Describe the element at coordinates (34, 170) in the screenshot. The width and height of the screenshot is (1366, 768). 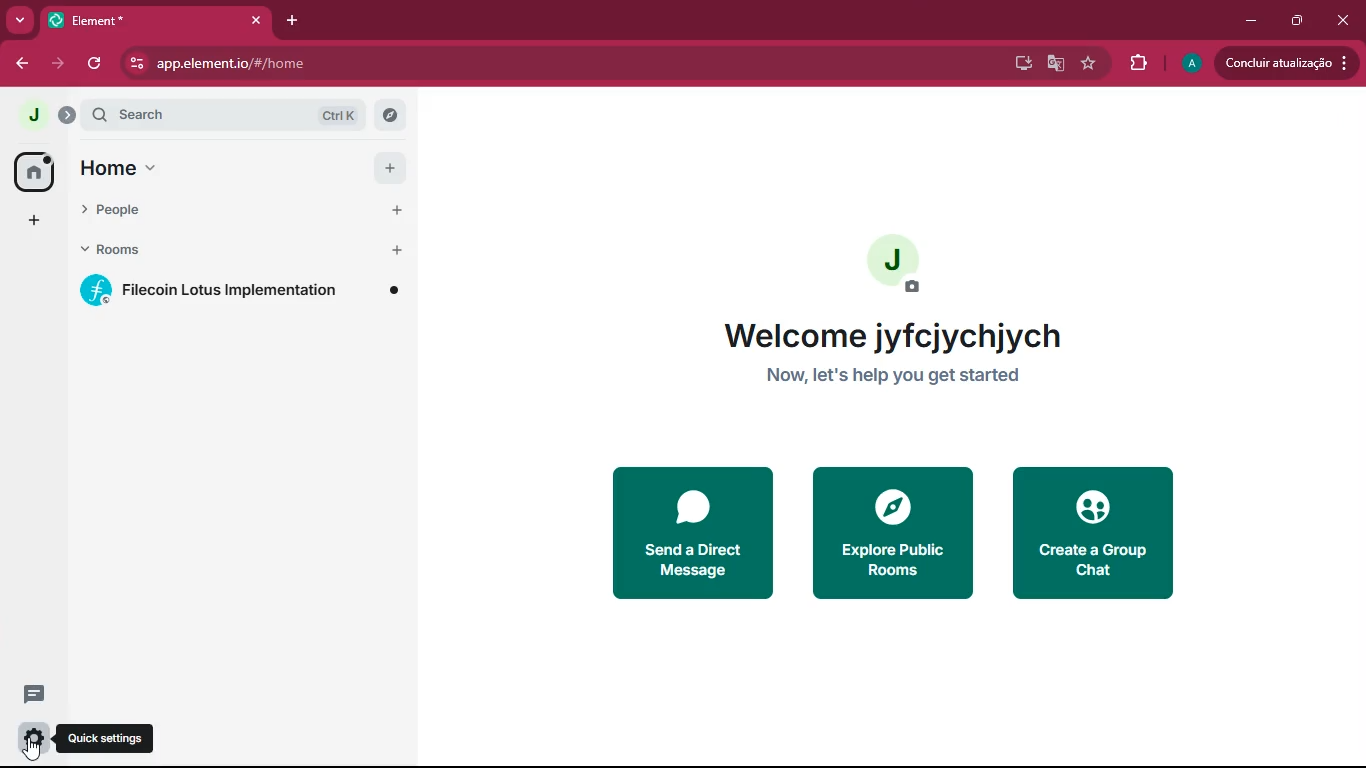
I see `home` at that location.